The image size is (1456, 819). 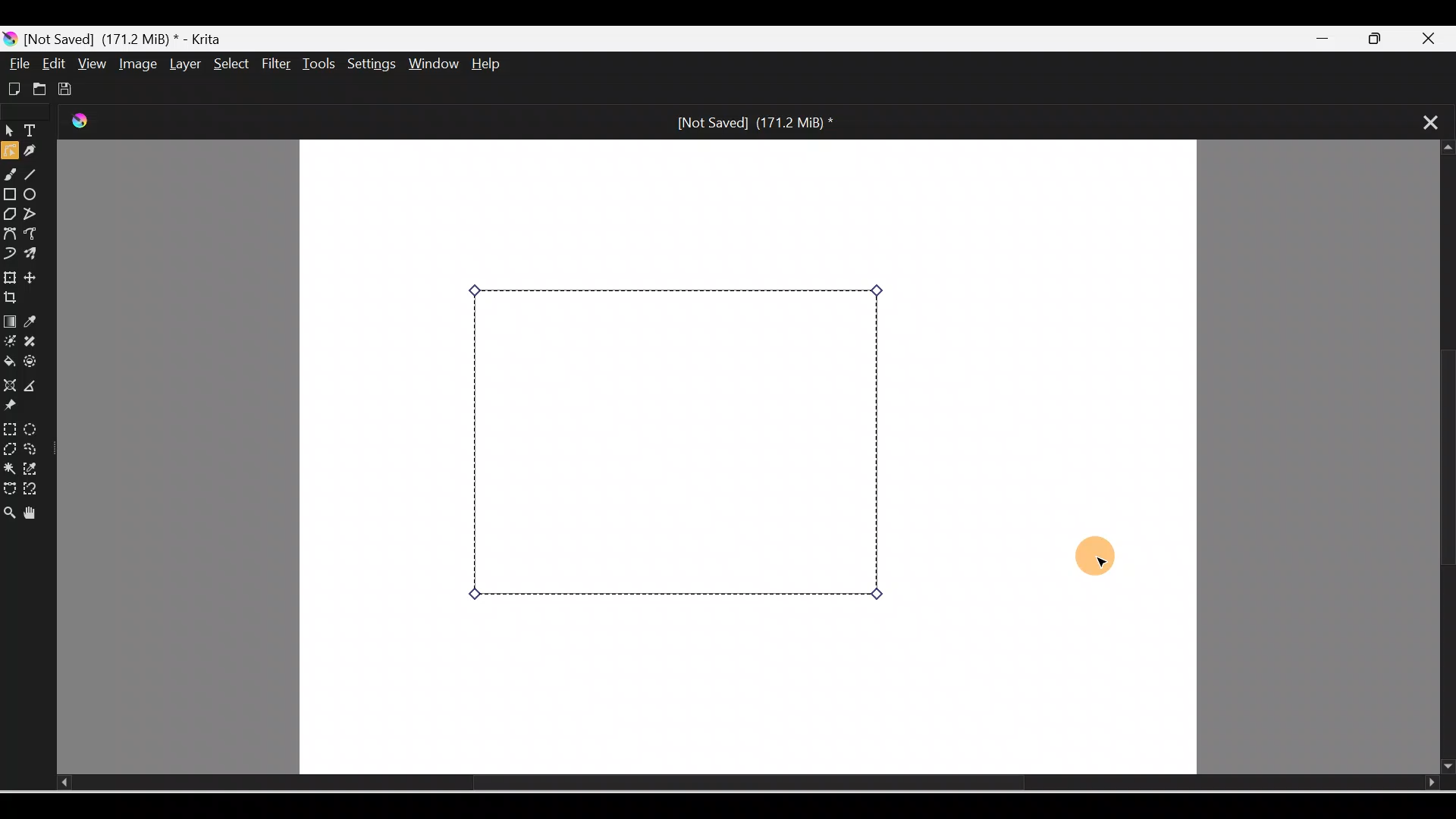 What do you see at coordinates (9, 214) in the screenshot?
I see `Polygon` at bounding box center [9, 214].